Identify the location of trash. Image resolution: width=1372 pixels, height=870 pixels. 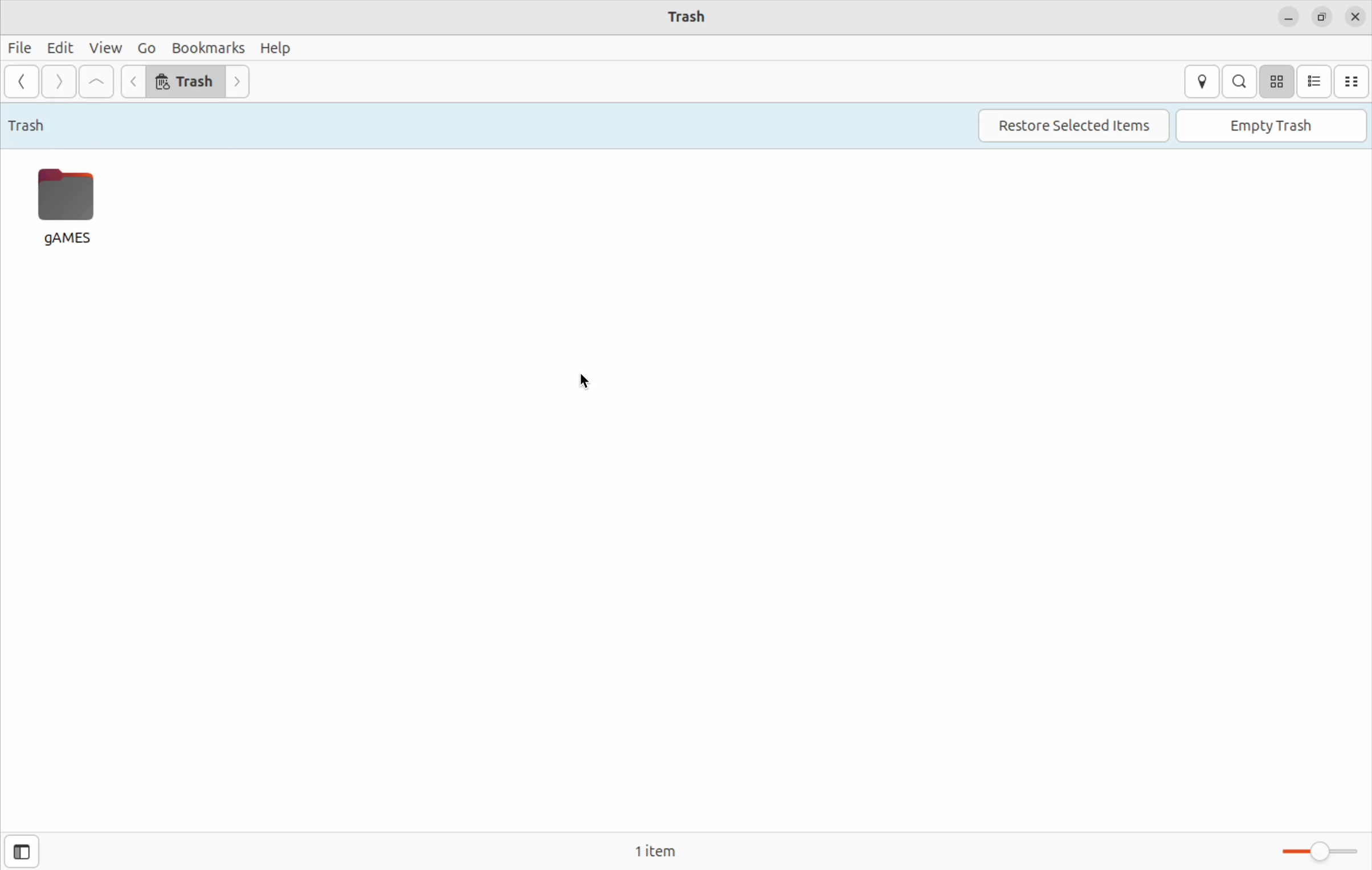
(36, 125).